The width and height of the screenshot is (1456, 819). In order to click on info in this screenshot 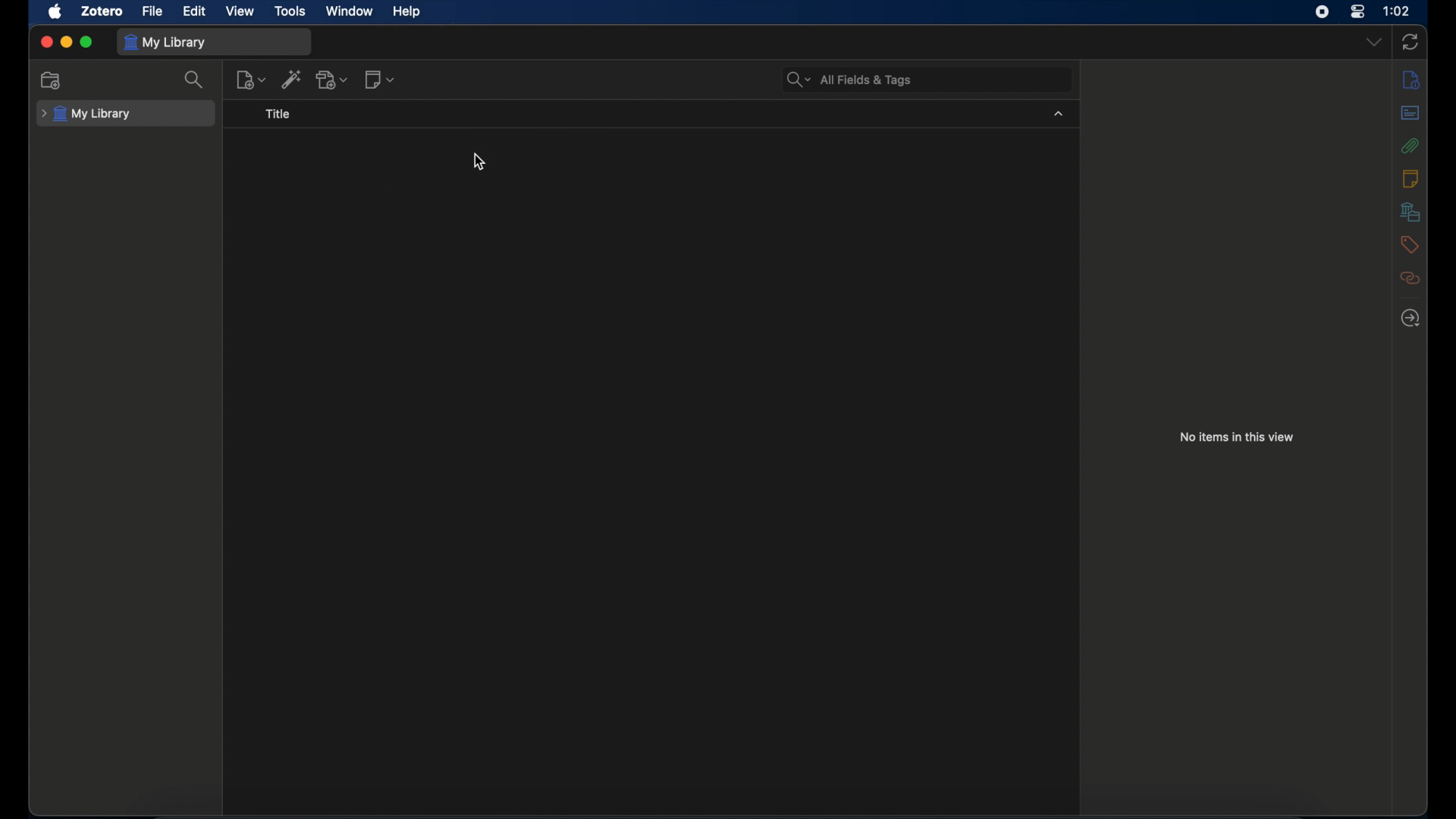, I will do `click(1411, 80)`.